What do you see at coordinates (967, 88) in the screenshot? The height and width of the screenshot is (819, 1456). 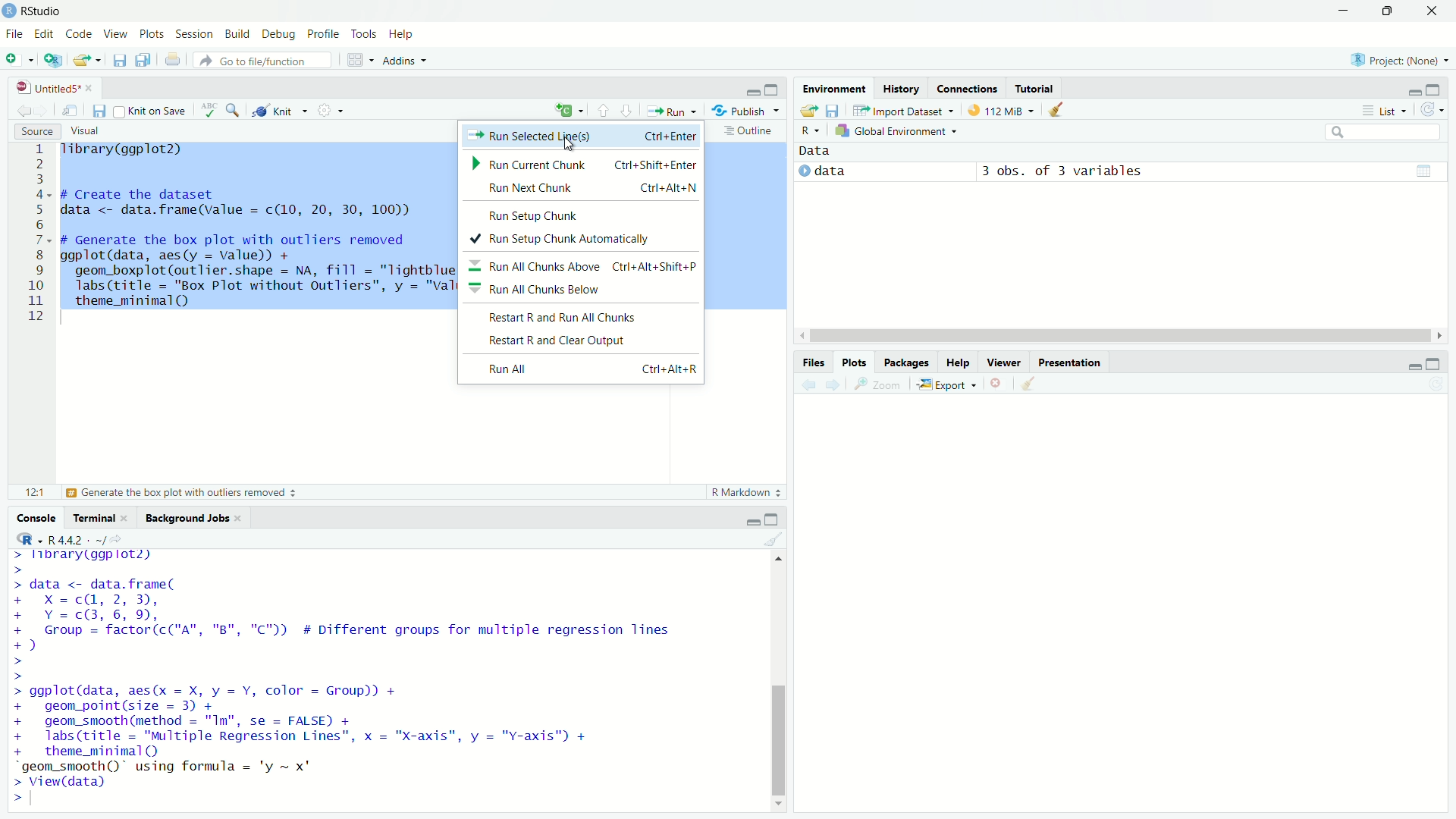 I see `‘Connections` at bounding box center [967, 88].